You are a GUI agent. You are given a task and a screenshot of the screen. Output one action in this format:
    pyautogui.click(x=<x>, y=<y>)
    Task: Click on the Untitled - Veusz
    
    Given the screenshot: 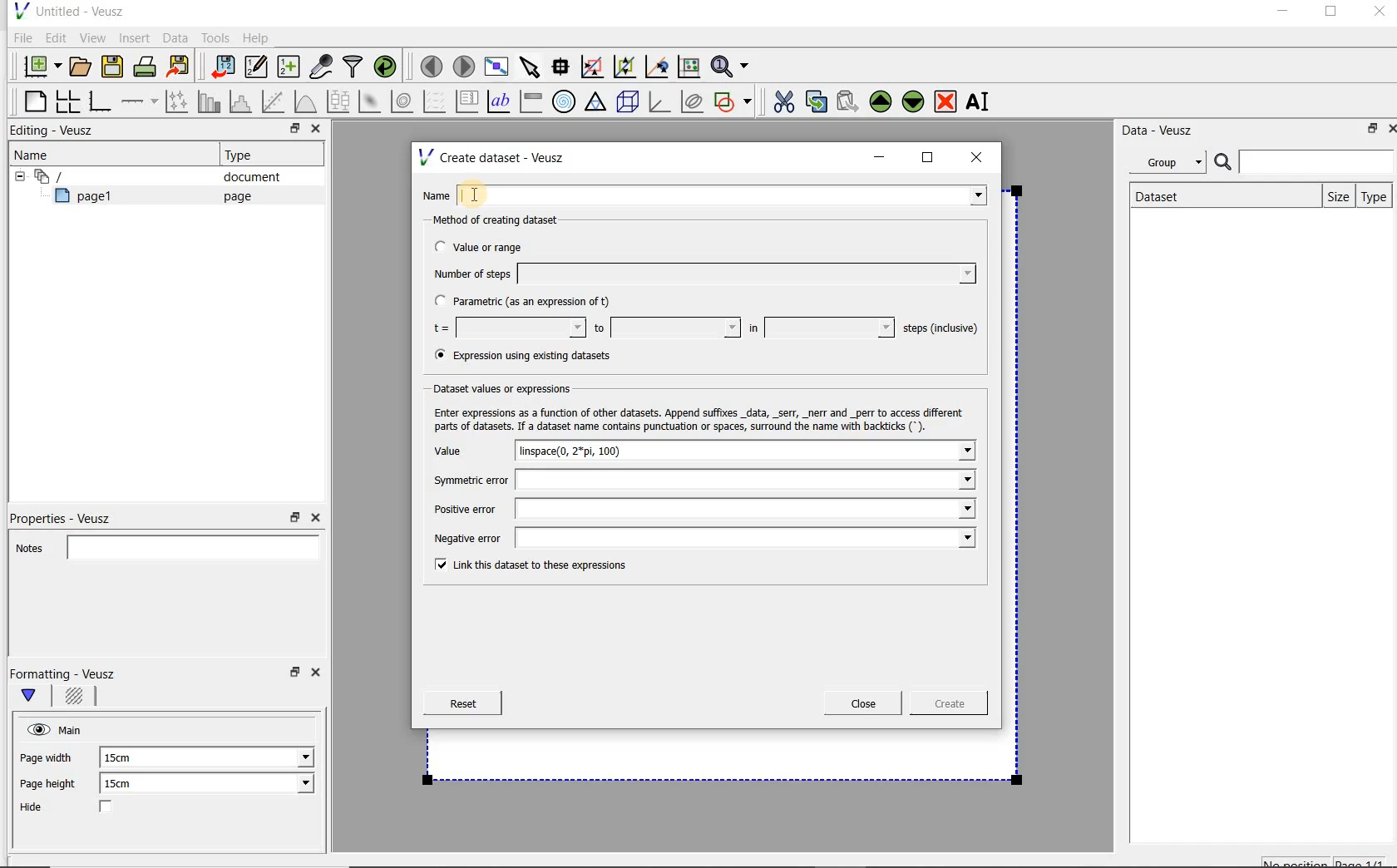 What is the action you would take?
    pyautogui.click(x=67, y=10)
    